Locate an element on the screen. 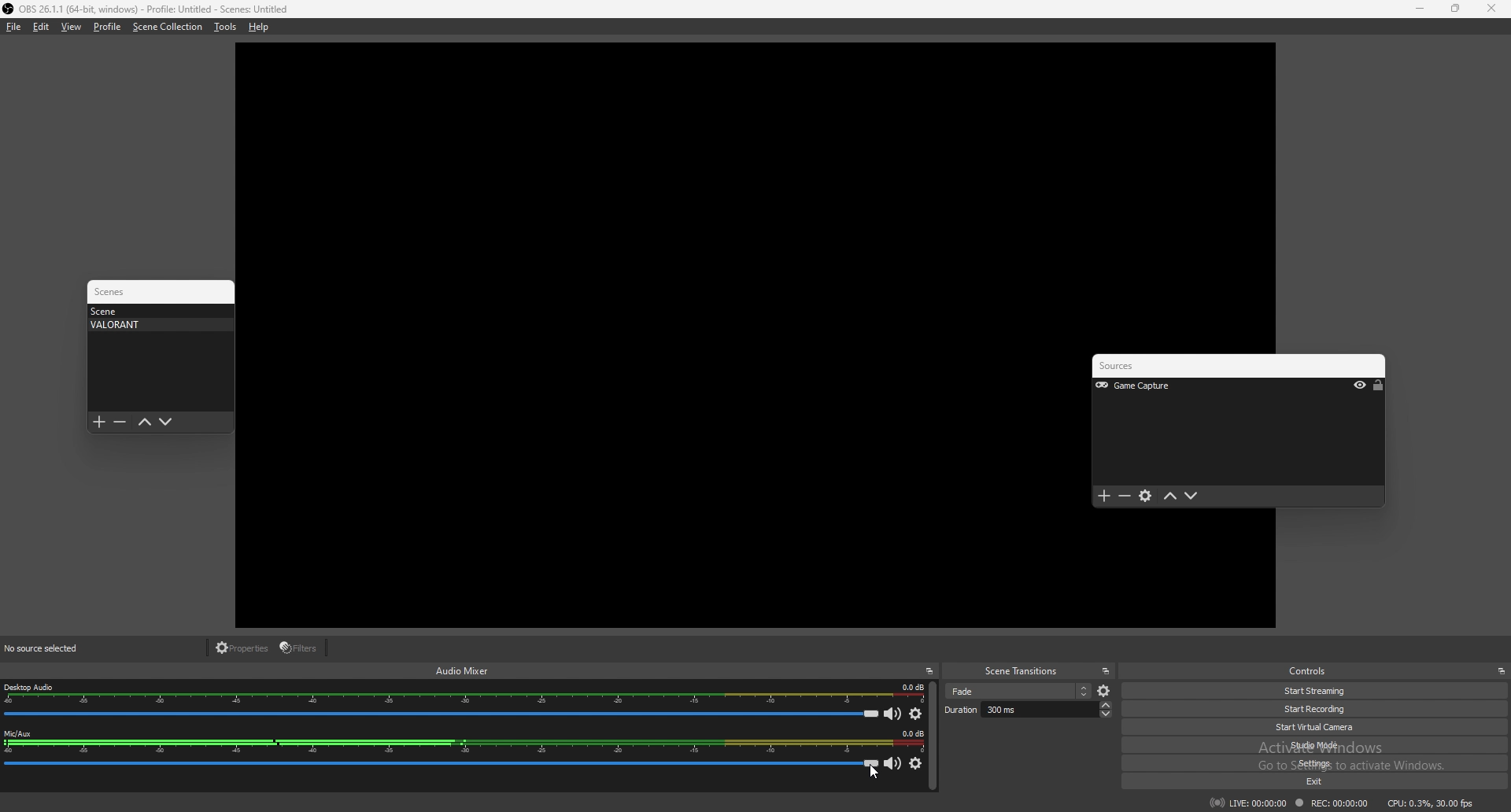 Image resolution: width=1511 pixels, height=812 pixels. scroll bar is located at coordinates (933, 736).